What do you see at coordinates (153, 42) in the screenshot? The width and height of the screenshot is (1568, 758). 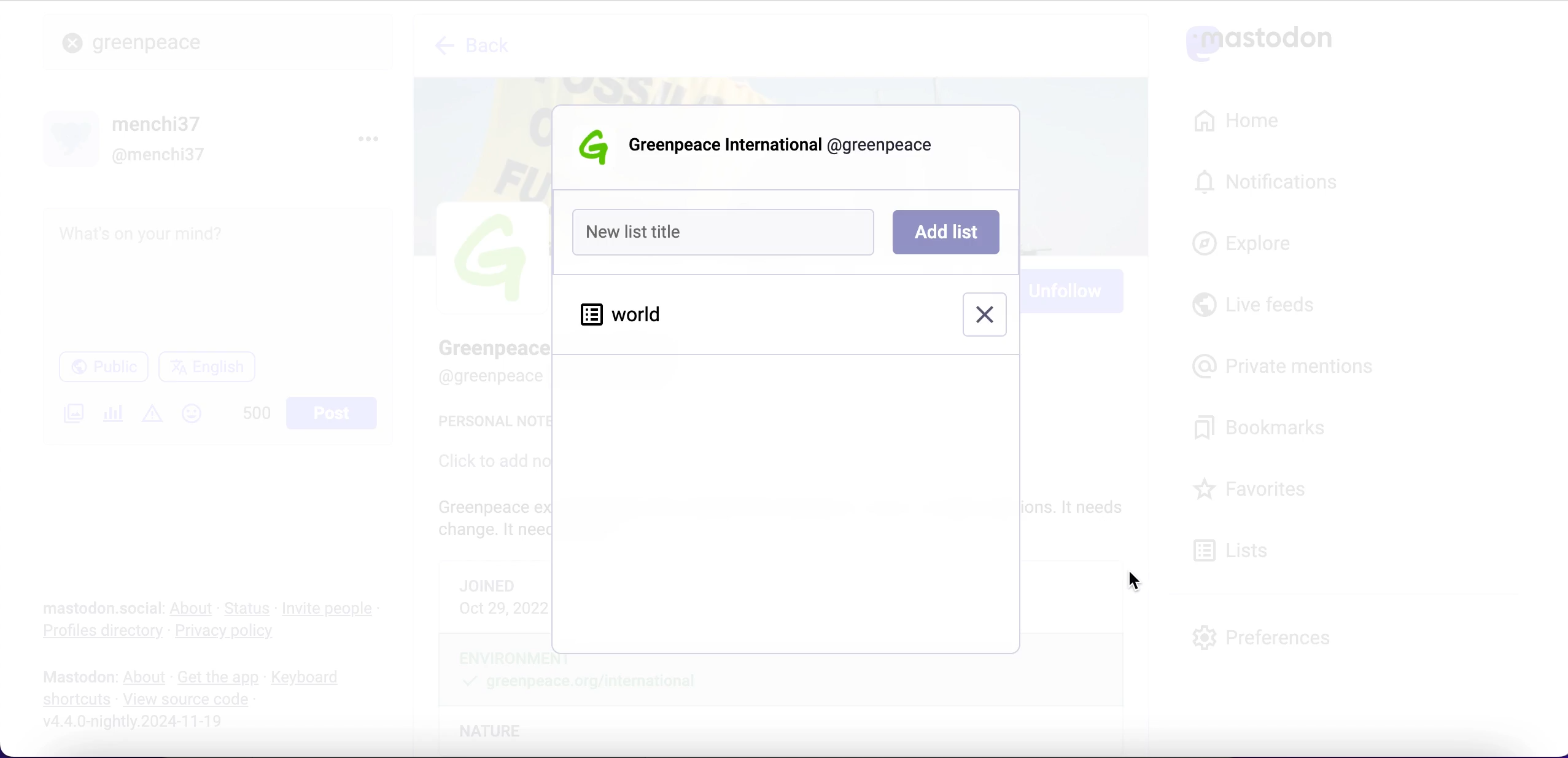 I see `greenpeace` at bounding box center [153, 42].